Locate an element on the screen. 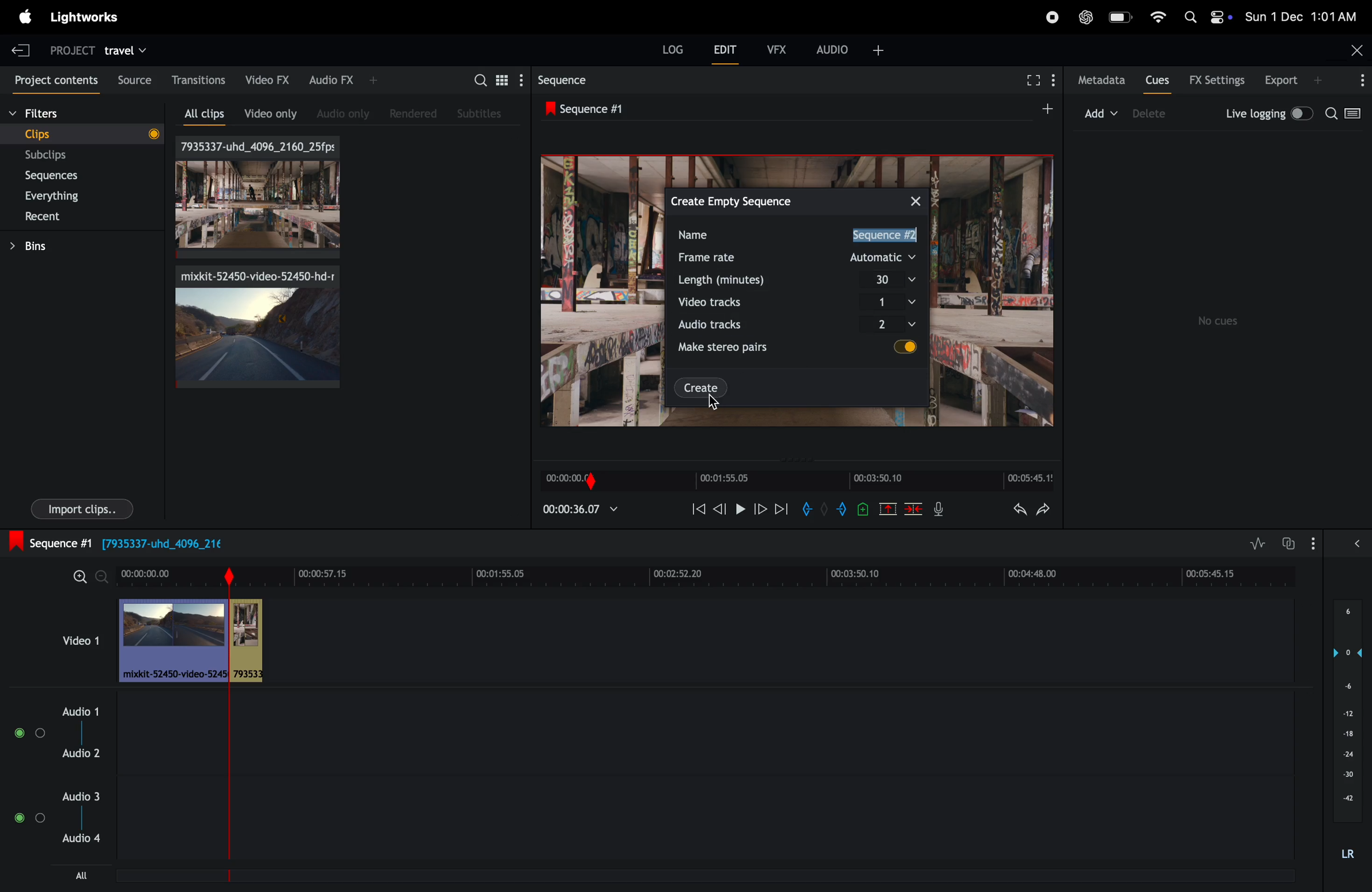 This screenshot has height=892, width=1372. clips is located at coordinates (256, 197).